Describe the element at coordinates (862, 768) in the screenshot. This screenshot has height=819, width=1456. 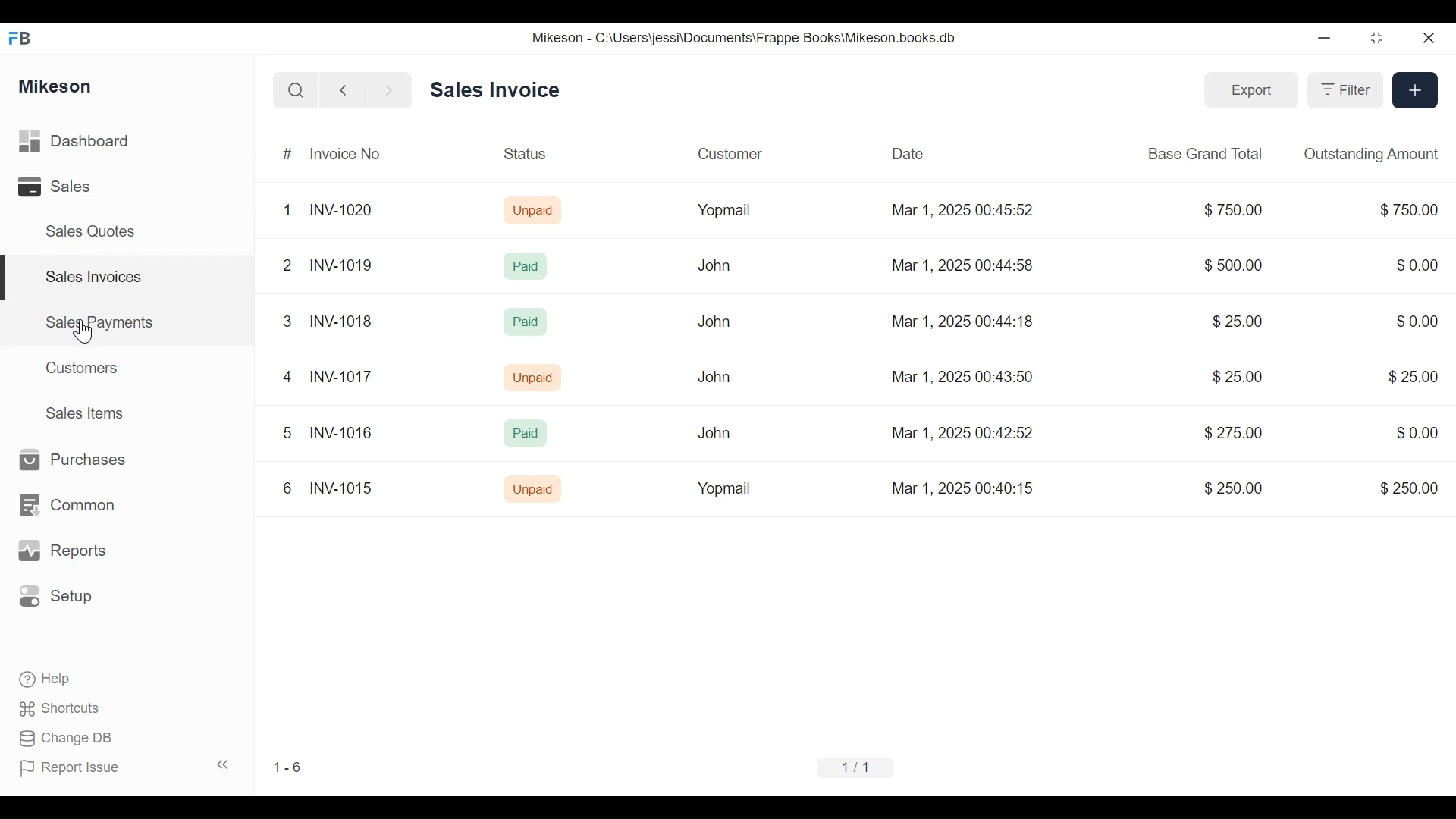
I see `1/1` at that location.